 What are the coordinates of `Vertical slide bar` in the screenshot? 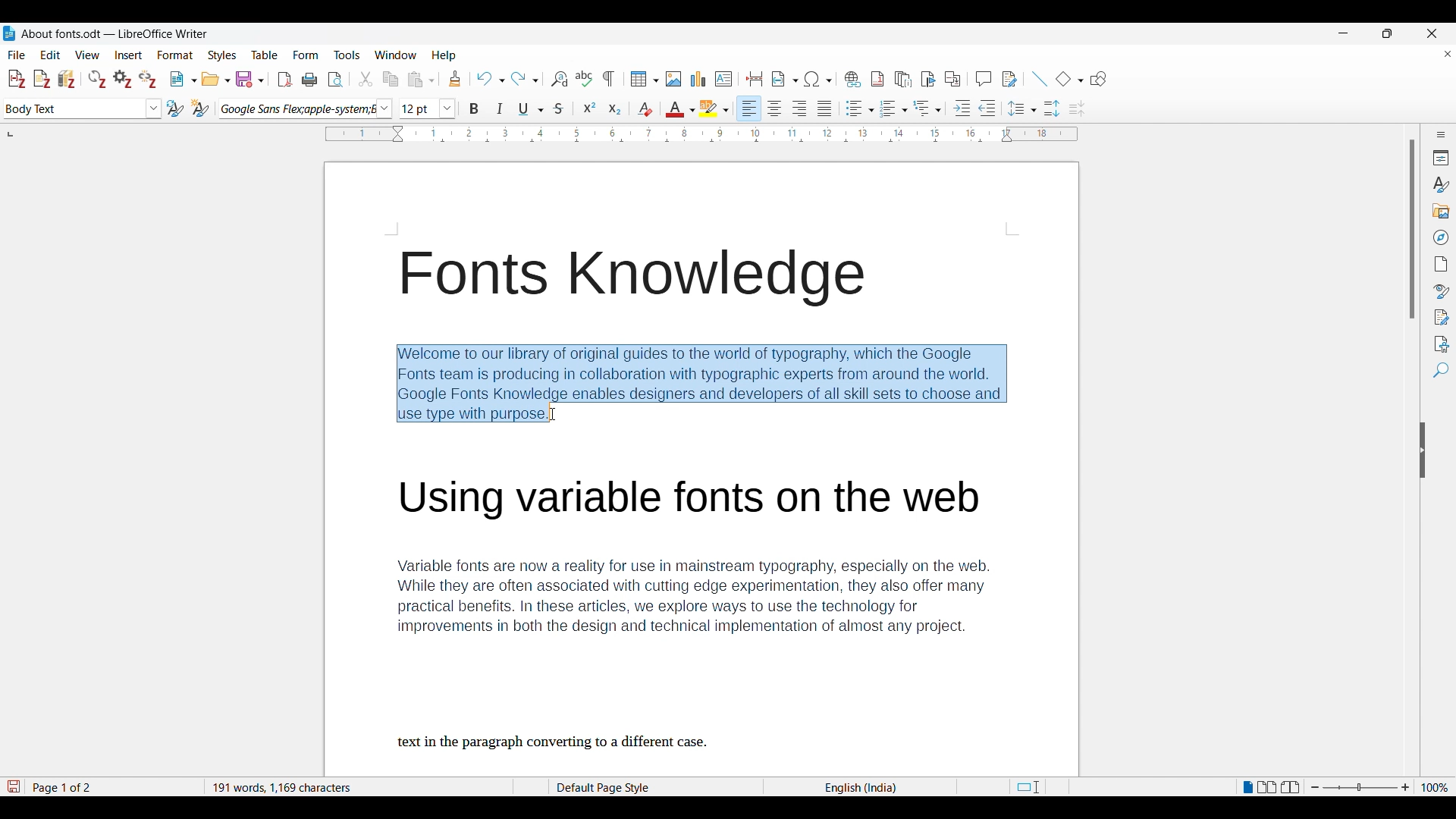 It's located at (1413, 230).